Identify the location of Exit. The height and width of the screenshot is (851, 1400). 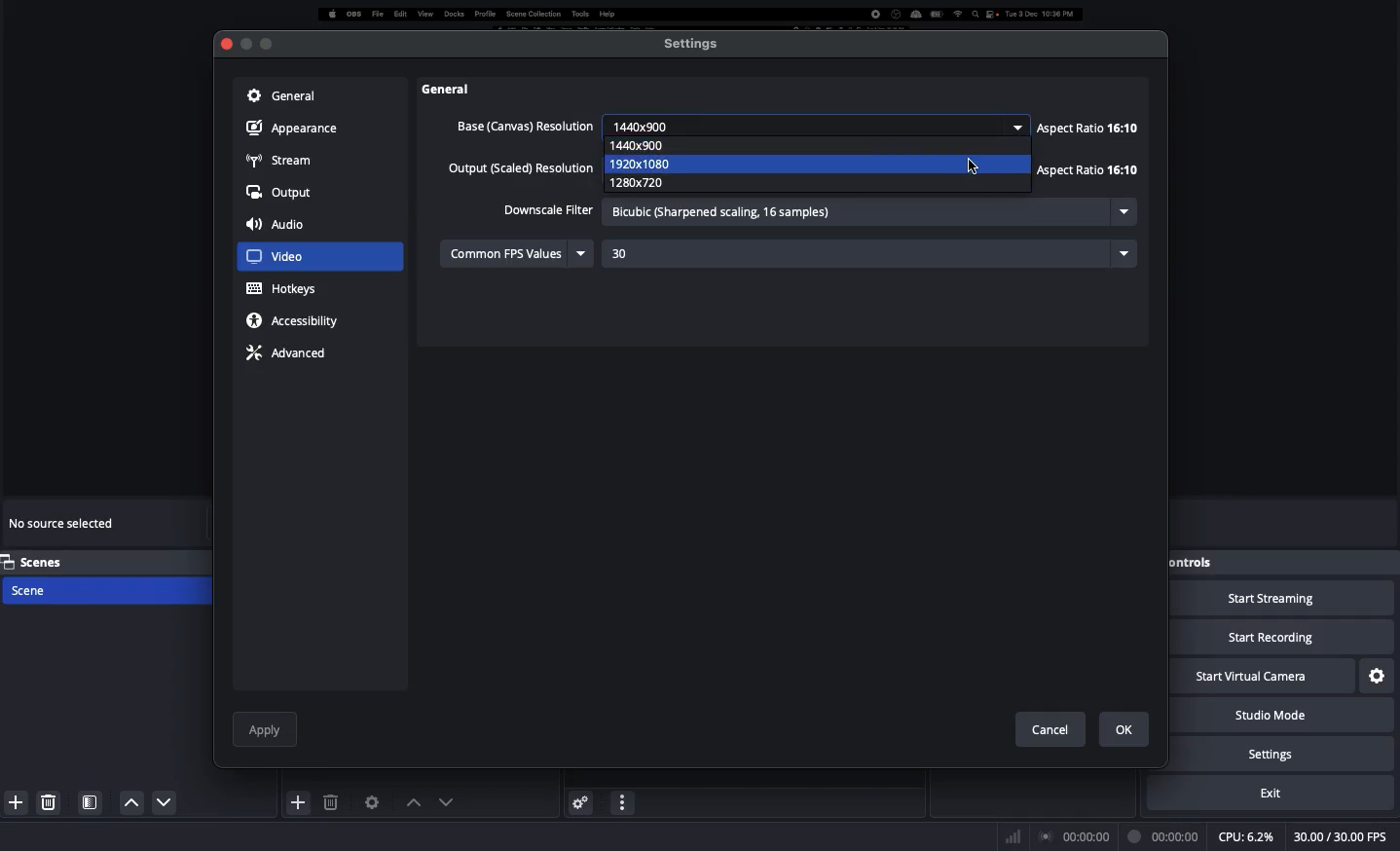
(1283, 793).